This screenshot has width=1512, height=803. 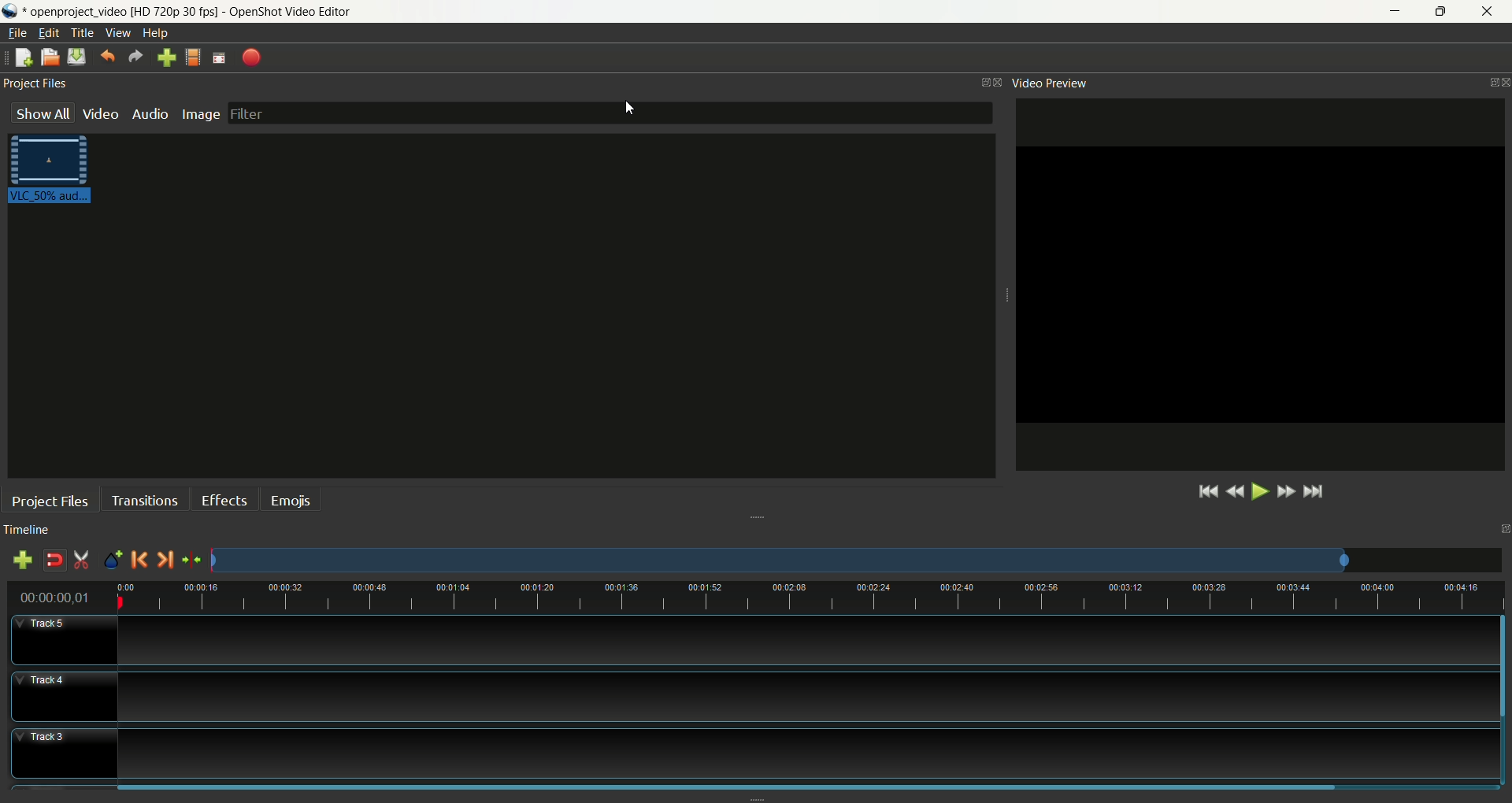 What do you see at coordinates (157, 33) in the screenshot?
I see `help` at bounding box center [157, 33].